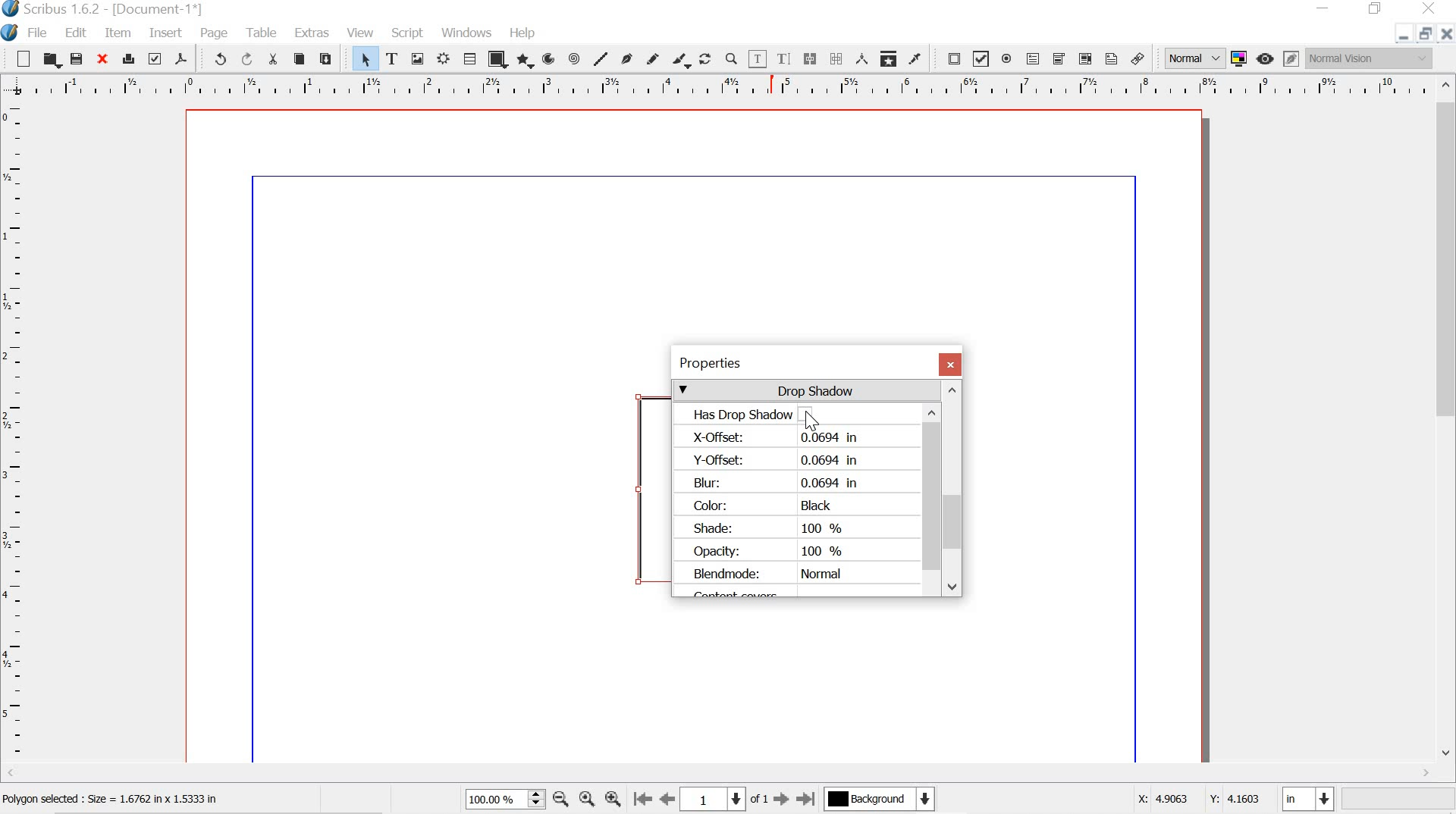 This screenshot has width=1456, height=814. What do you see at coordinates (1193, 56) in the screenshot?
I see `normal` at bounding box center [1193, 56].